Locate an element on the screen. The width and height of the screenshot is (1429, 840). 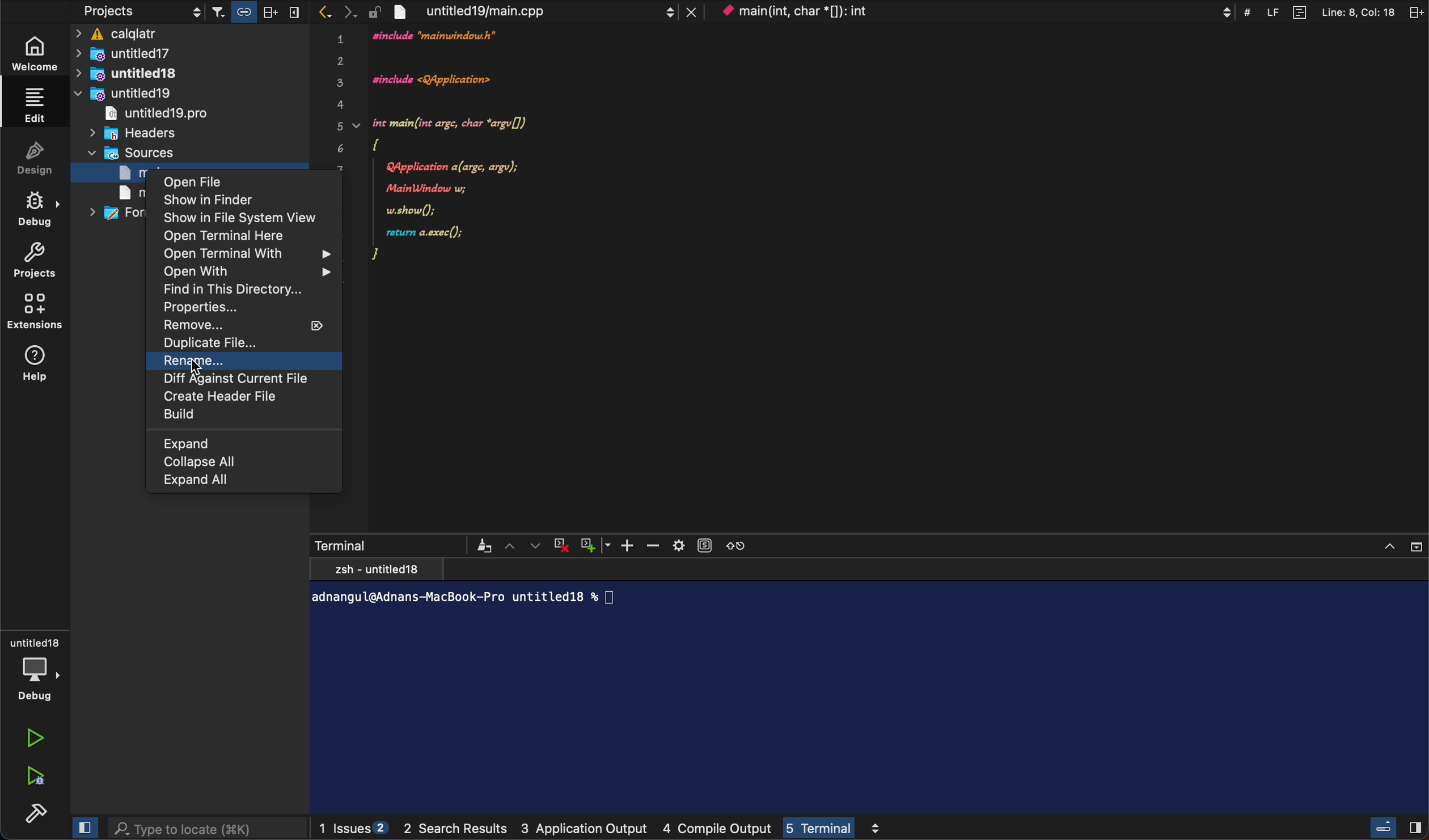
untitled19pro is located at coordinates (155, 113).